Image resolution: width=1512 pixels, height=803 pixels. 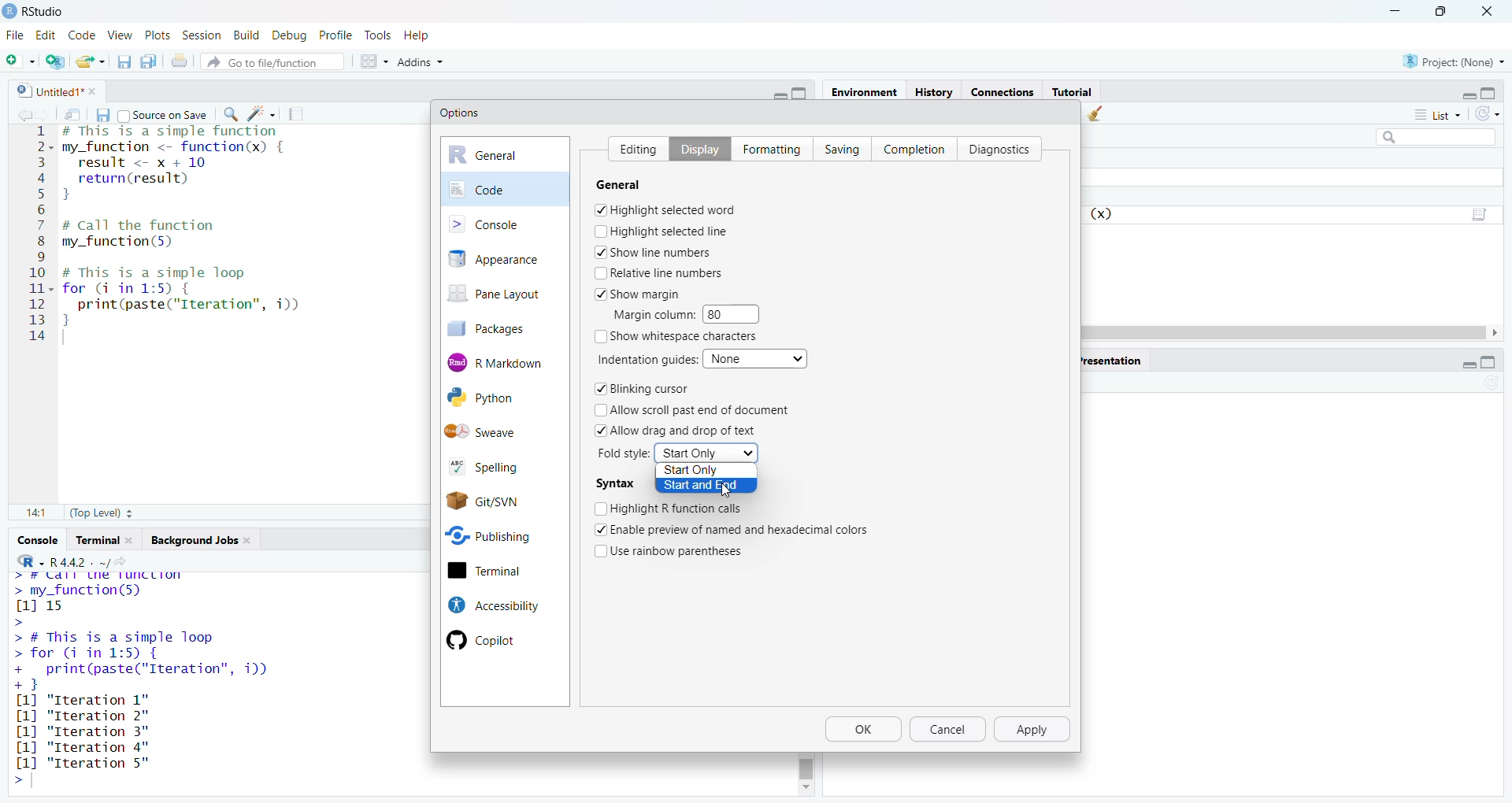 I want to click on open an existing file, so click(x=91, y=60).